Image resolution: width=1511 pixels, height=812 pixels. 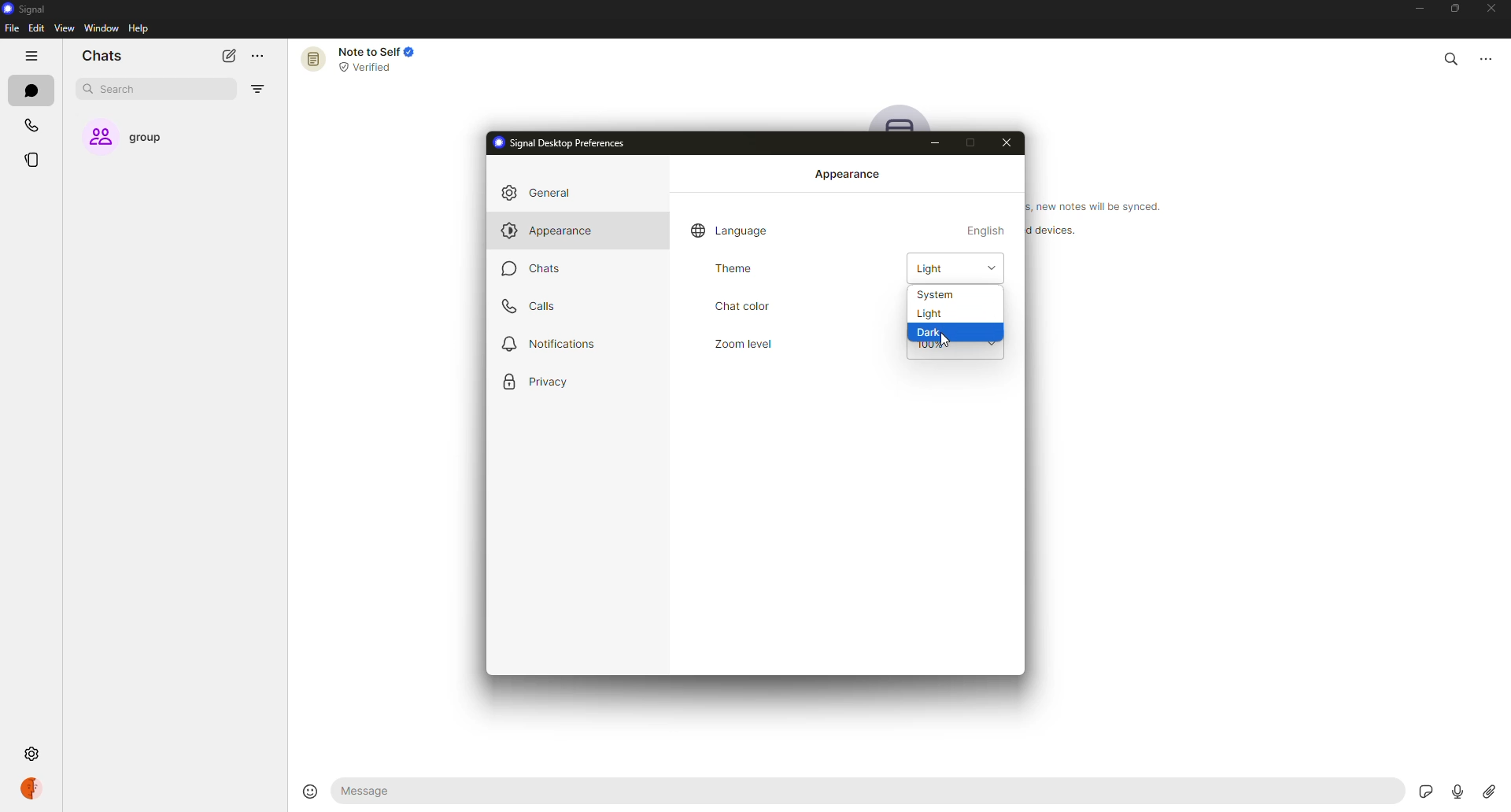 I want to click on search, so click(x=123, y=90).